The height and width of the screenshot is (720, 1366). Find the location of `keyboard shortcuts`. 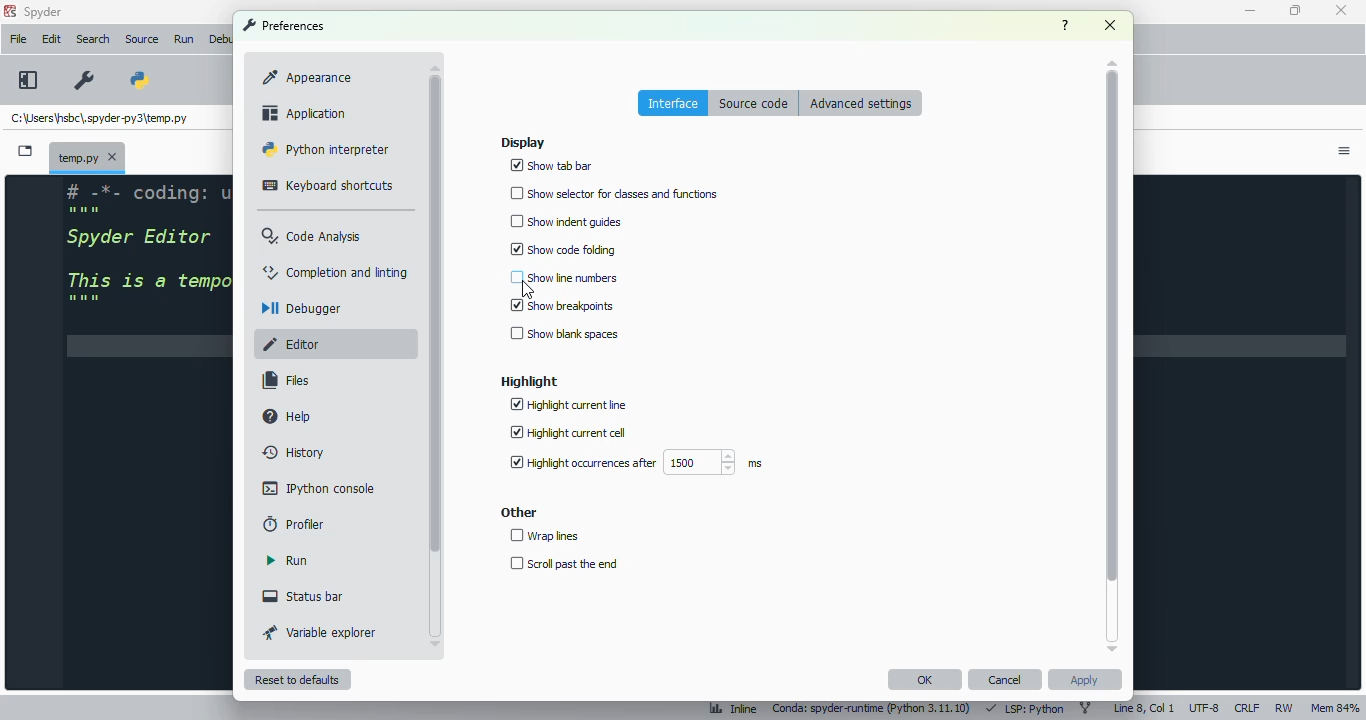

keyboard shortcuts is located at coordinates (329, 187).